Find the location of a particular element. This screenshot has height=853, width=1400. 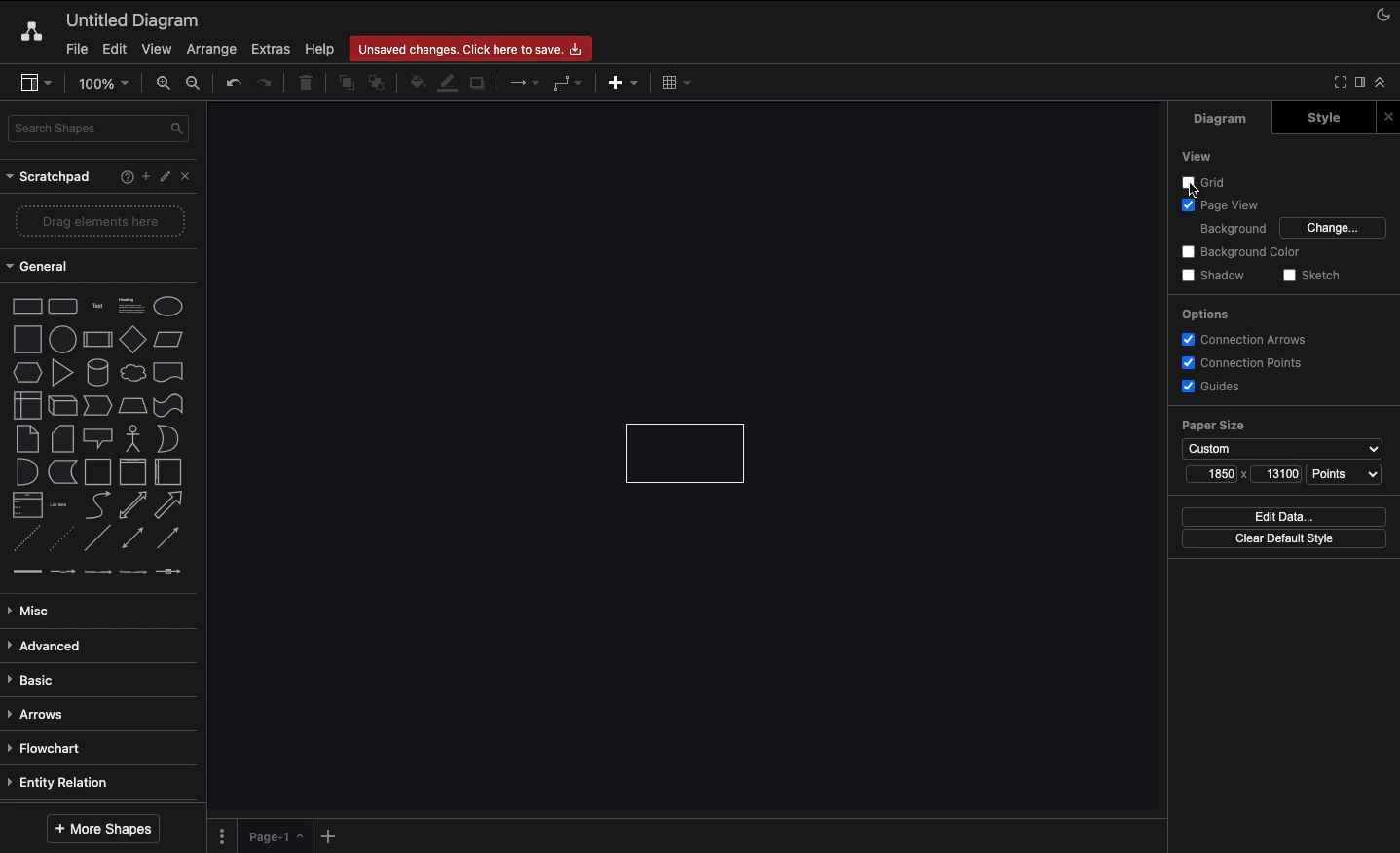

Shadow is located at coordinates (481, 83).